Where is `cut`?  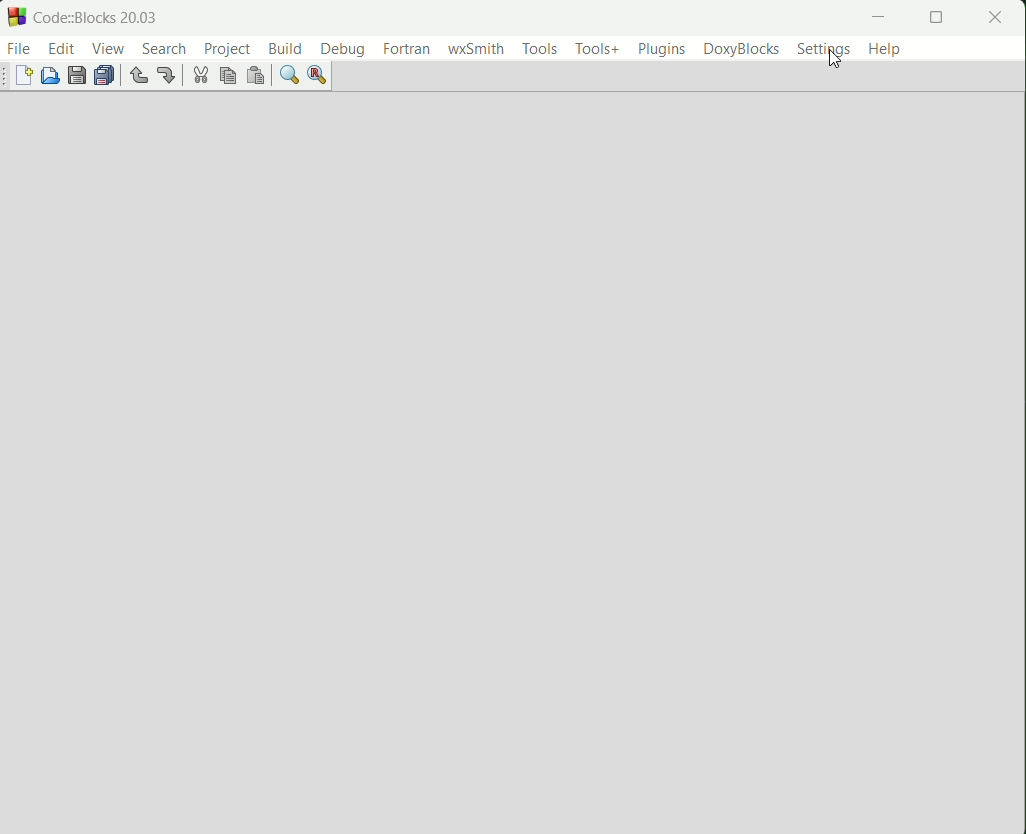 cut is located at coordinates (199, 77).